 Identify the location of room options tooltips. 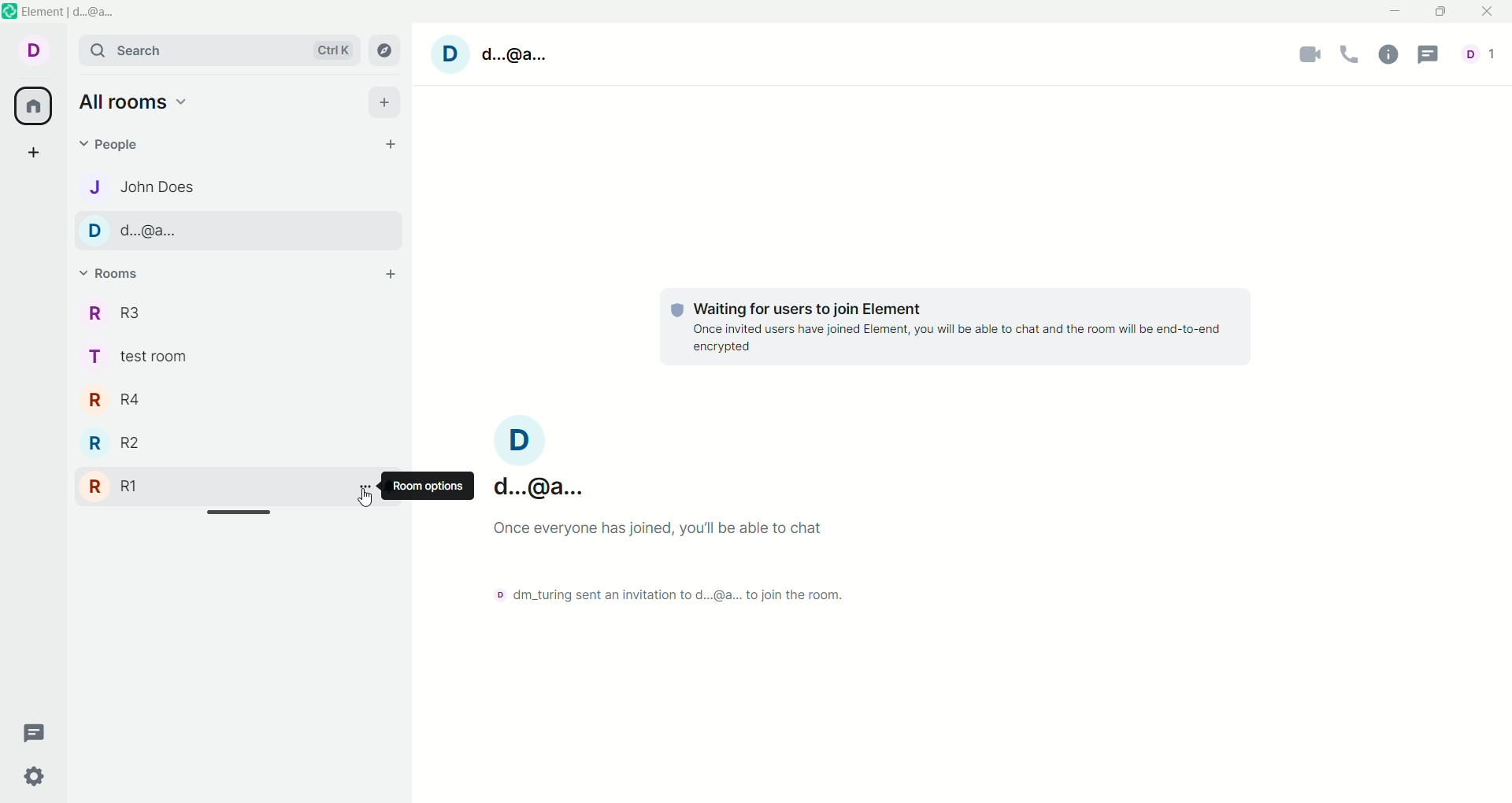
(424, 484).